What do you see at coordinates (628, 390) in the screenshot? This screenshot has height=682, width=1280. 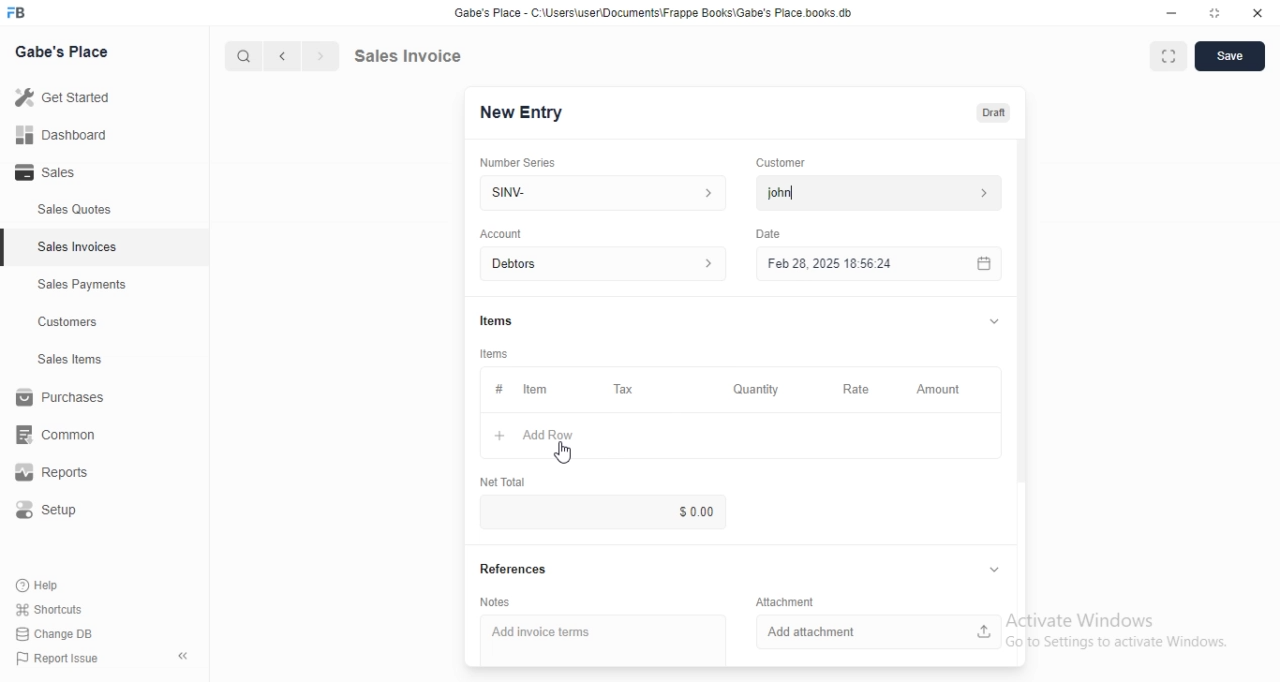 I see `Tax` at bounding box center [628, 390].